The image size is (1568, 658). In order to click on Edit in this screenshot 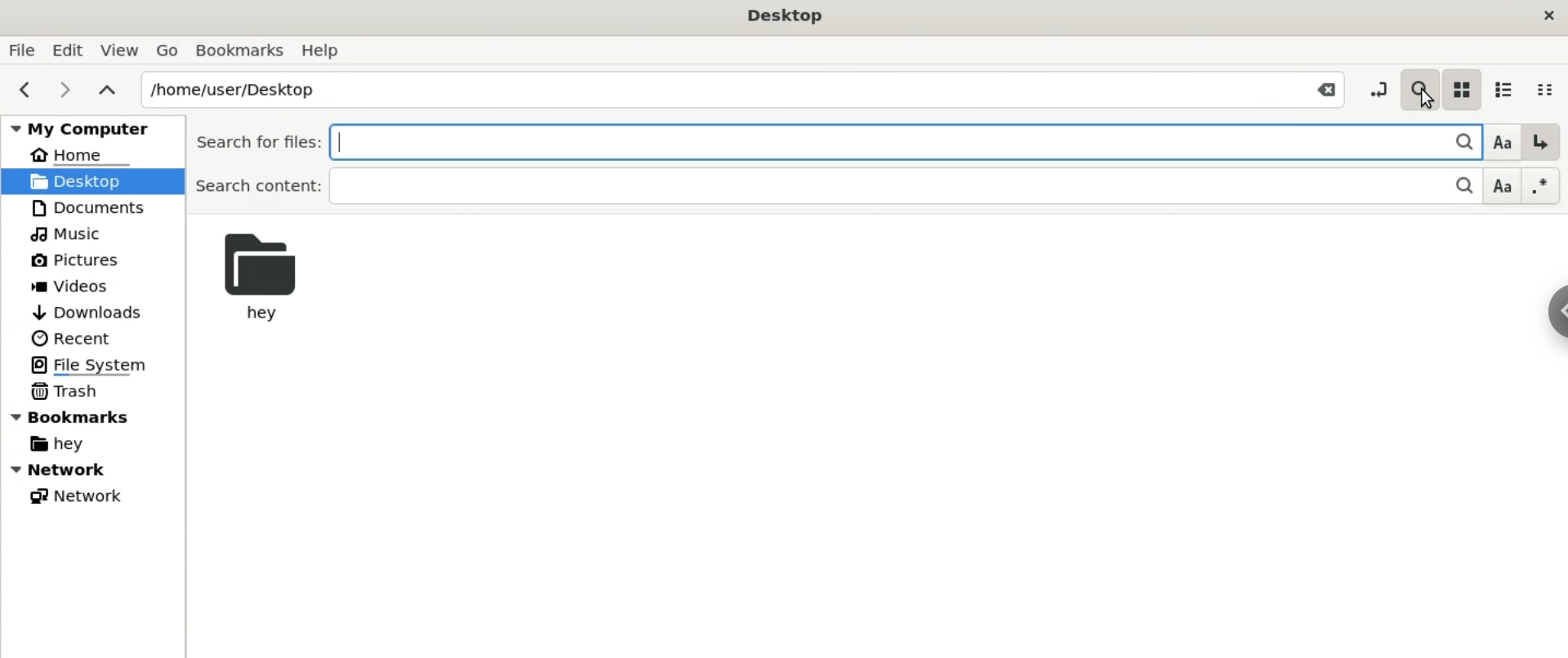, I will do `click(65, 48)`.